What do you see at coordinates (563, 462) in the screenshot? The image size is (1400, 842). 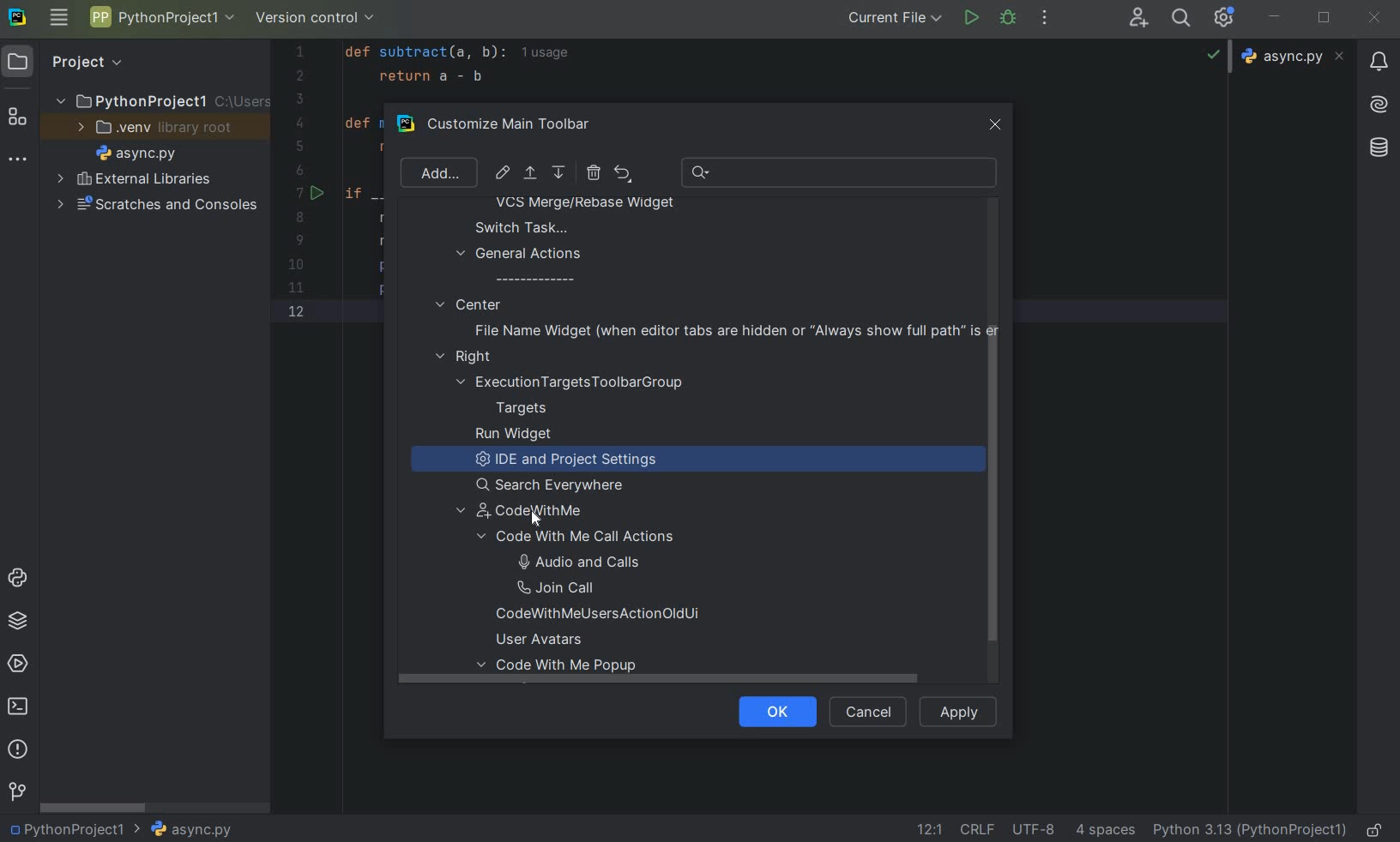 I see `ide and project settings` at bounding box center [563, 462].